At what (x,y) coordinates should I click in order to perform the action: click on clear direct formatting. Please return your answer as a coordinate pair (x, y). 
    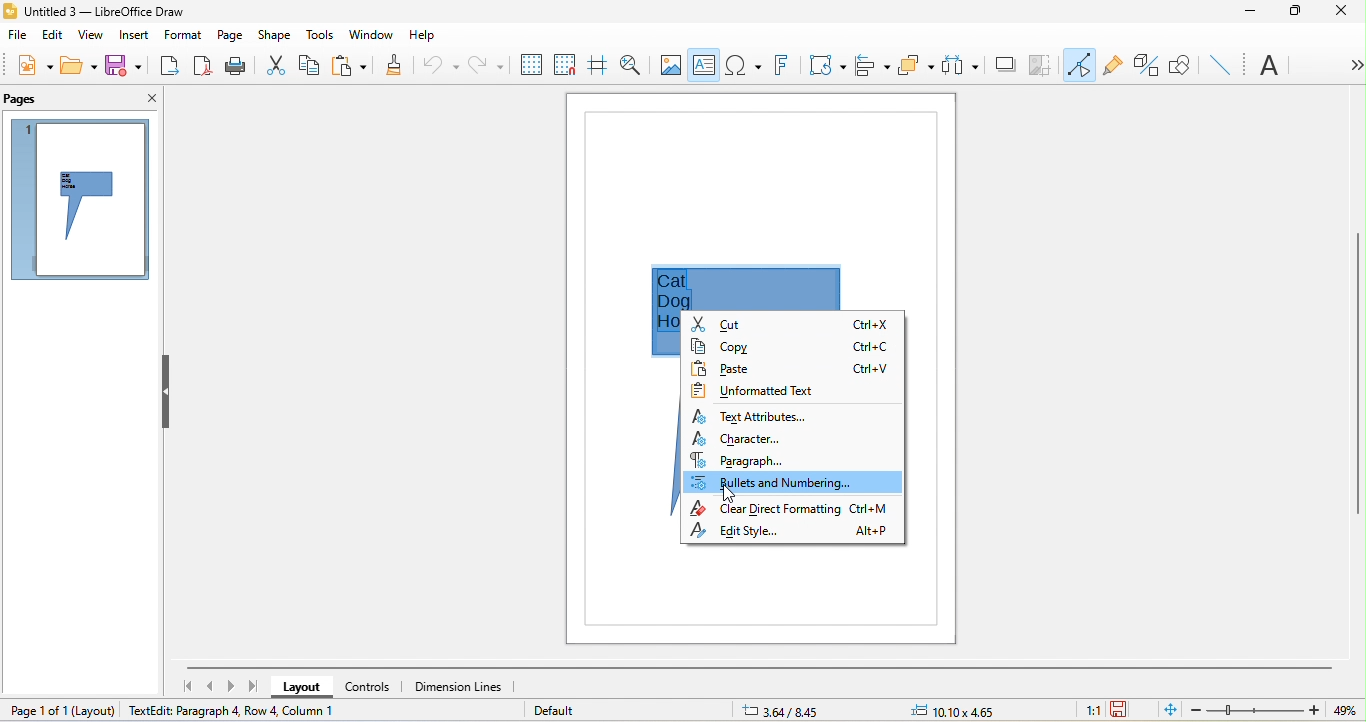
    Looking at the image, I should click on (795, 509).